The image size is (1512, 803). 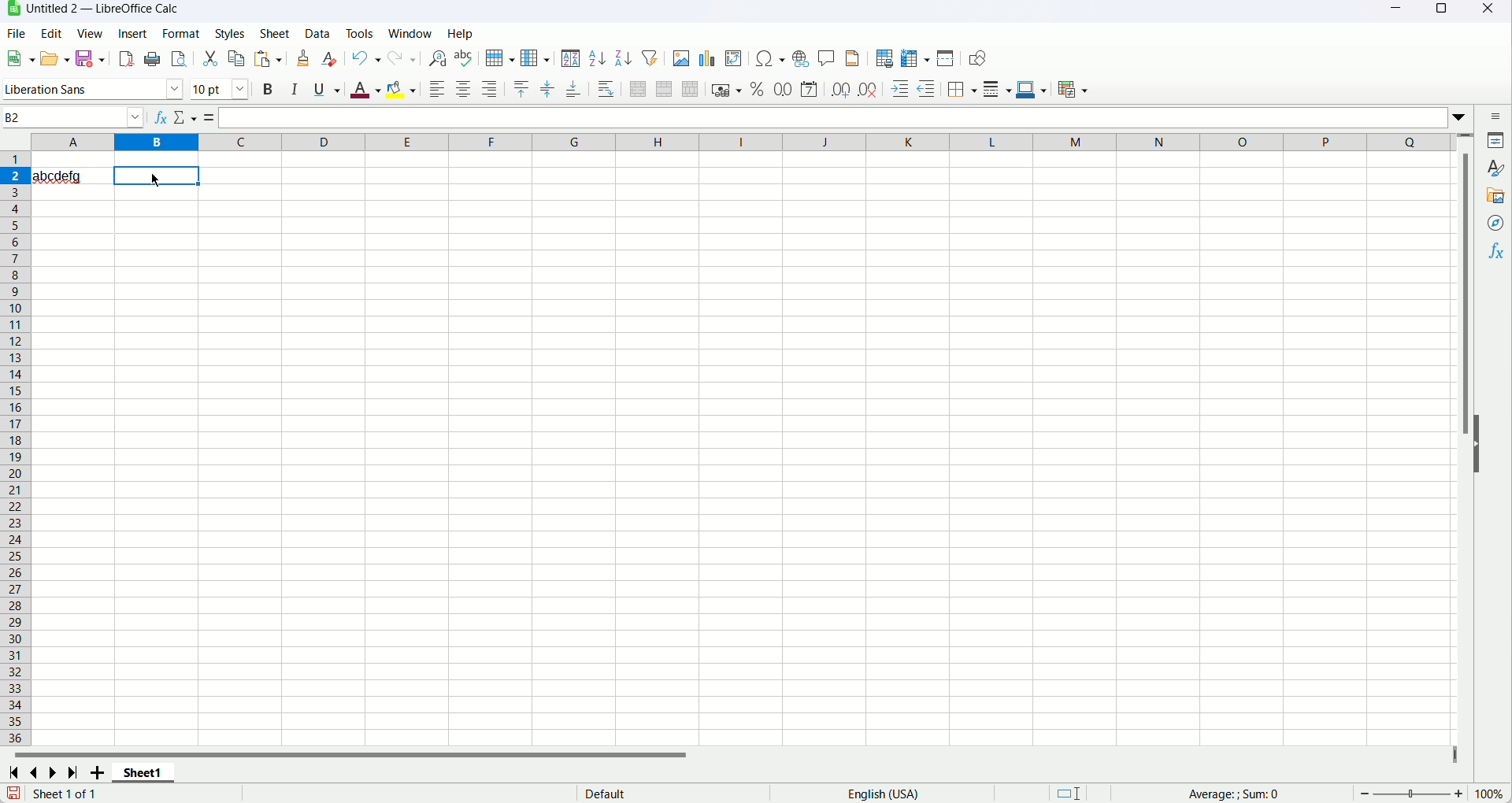 What do you see at coordinates (438, 58) in the screenshot?
I see `find and replace` at bounding box center [438, 58].